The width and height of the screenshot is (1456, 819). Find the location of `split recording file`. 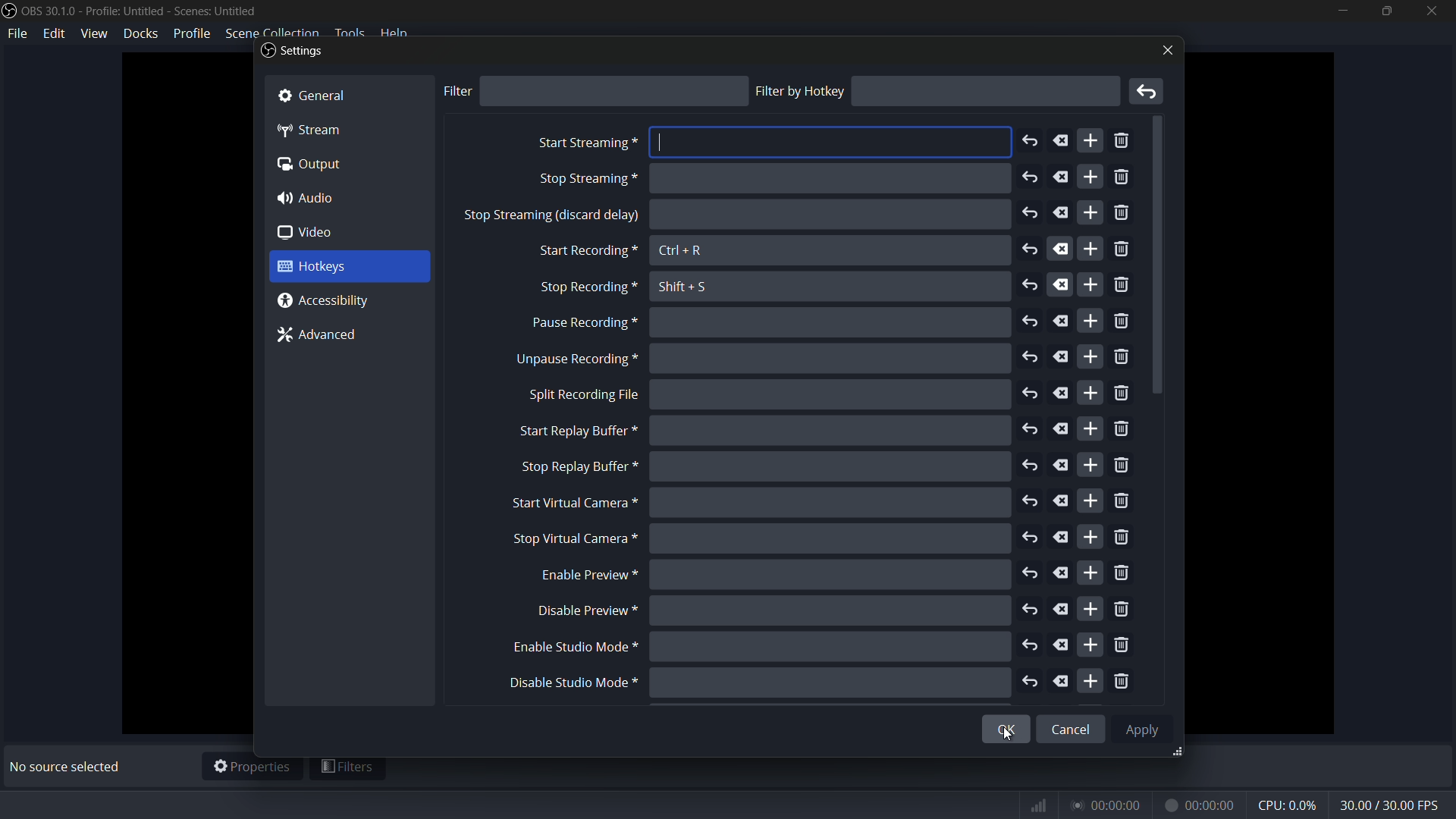

split recording file is located at coordinates (583, 395).